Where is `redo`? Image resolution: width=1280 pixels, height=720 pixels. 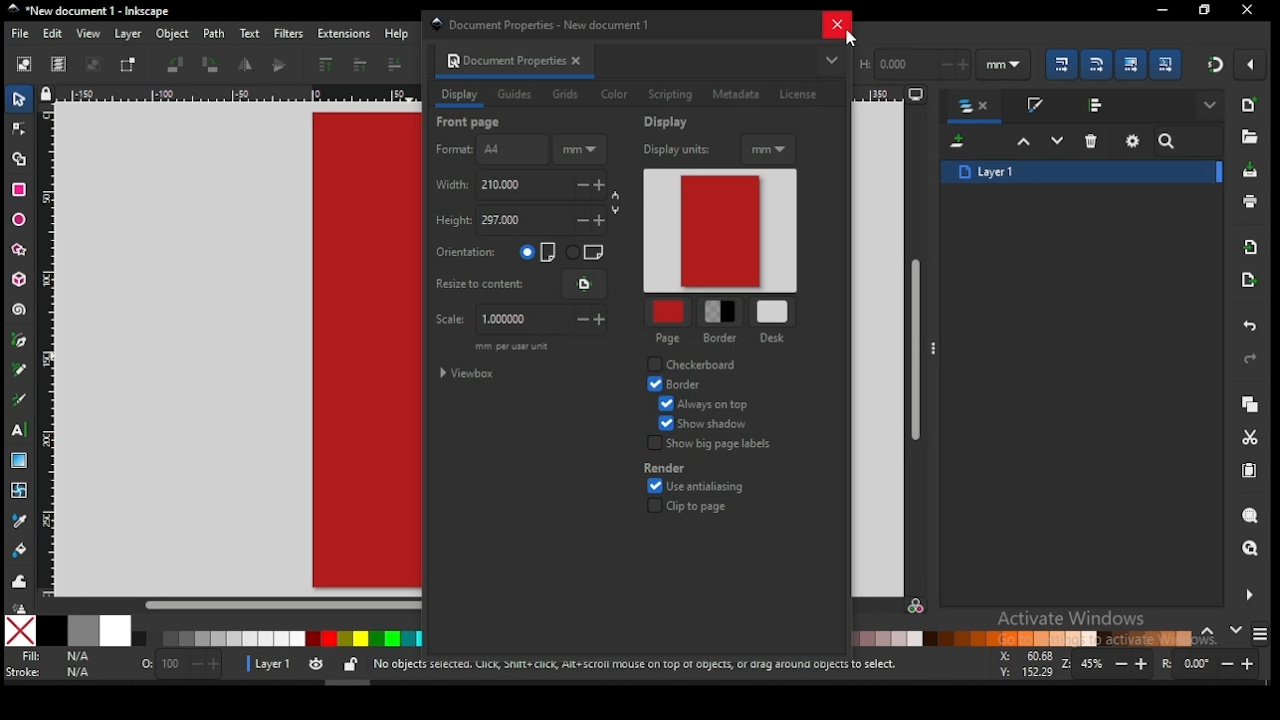
redo is located at coordinates (1248, 360).